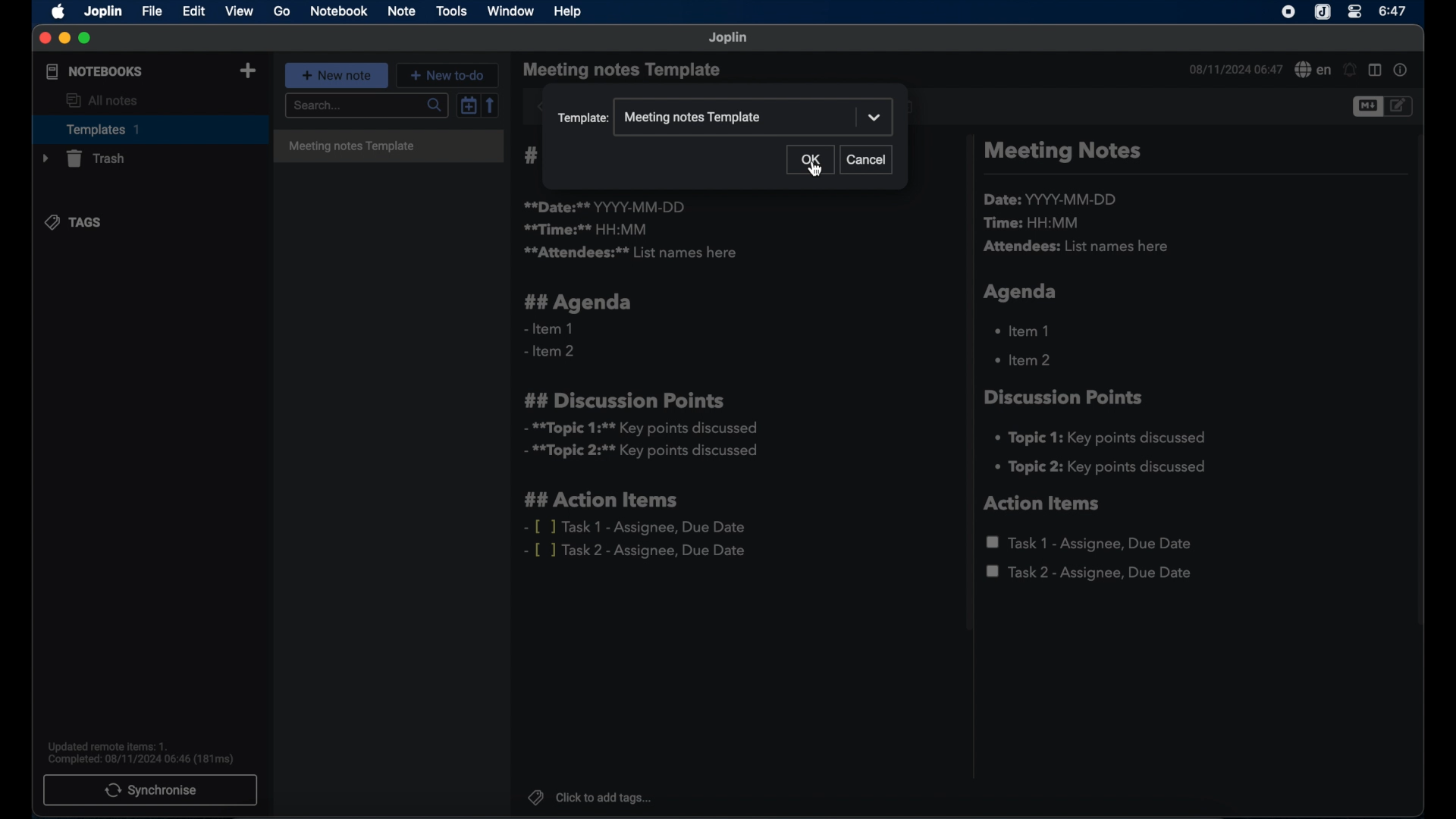  I want to click on help, so click(566, 10).